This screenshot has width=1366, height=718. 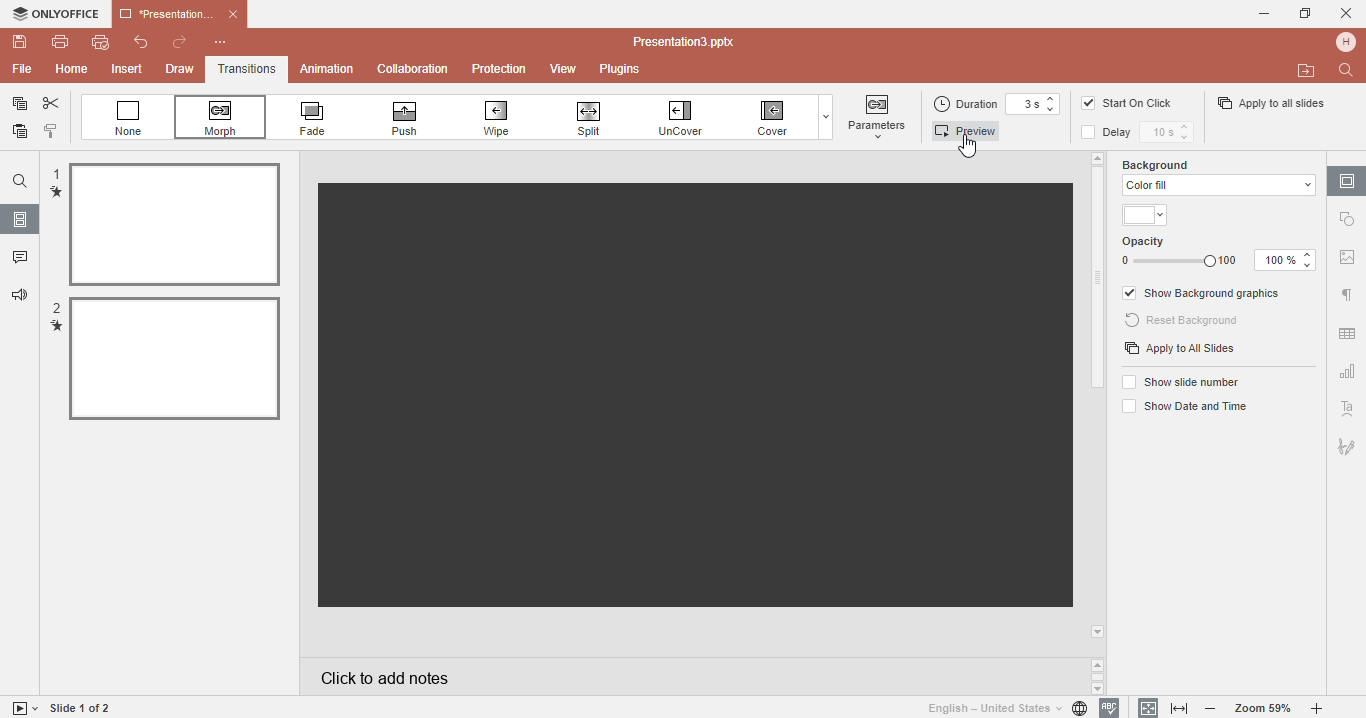 I want to click on Text art setting, so click(x=1347, y=408).